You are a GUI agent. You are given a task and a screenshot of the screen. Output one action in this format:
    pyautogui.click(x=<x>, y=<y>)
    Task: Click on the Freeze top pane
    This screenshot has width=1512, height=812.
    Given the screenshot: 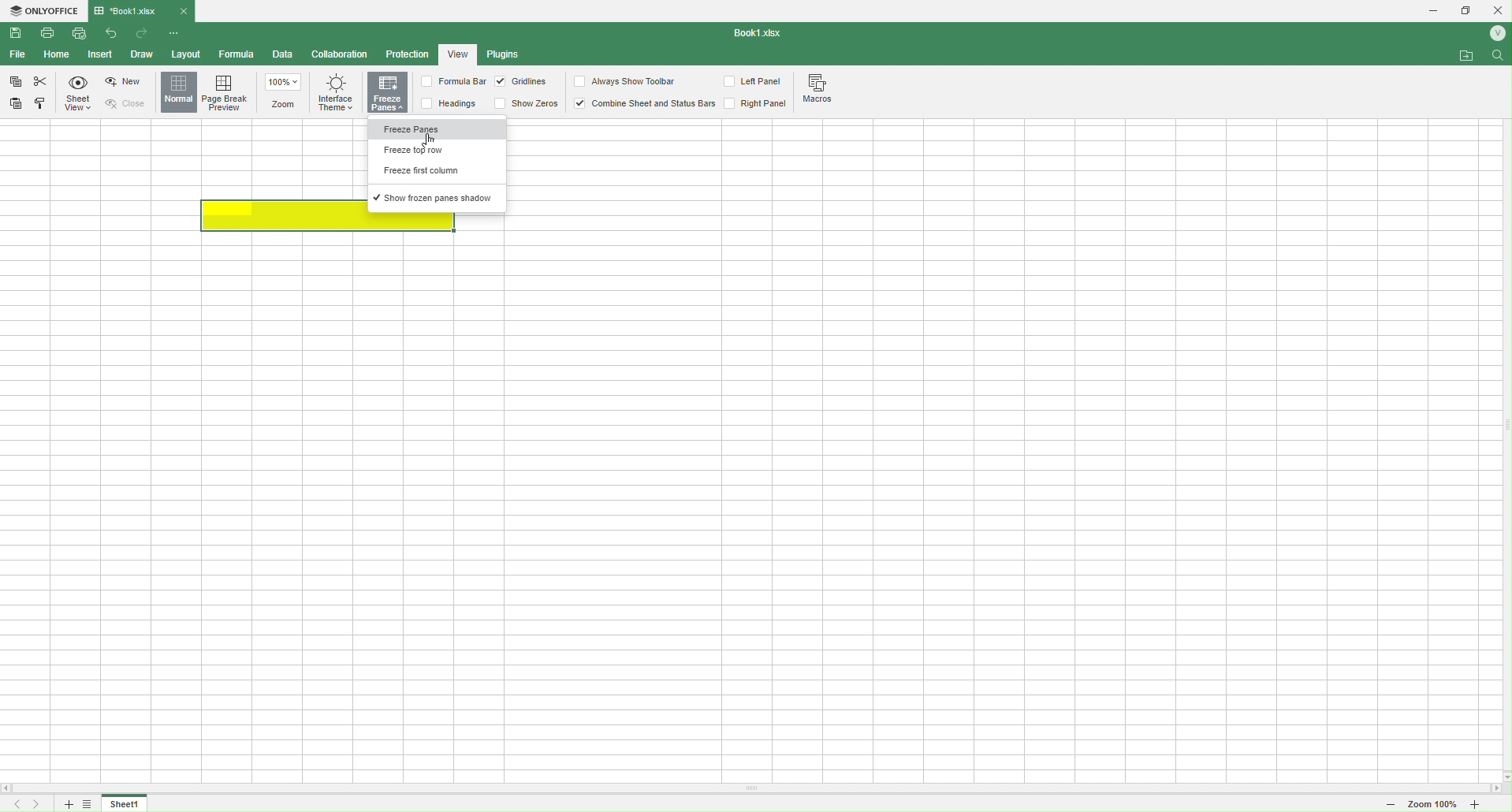 What is the action you would take?
    pyautogui.click(x=434, y=151)
    